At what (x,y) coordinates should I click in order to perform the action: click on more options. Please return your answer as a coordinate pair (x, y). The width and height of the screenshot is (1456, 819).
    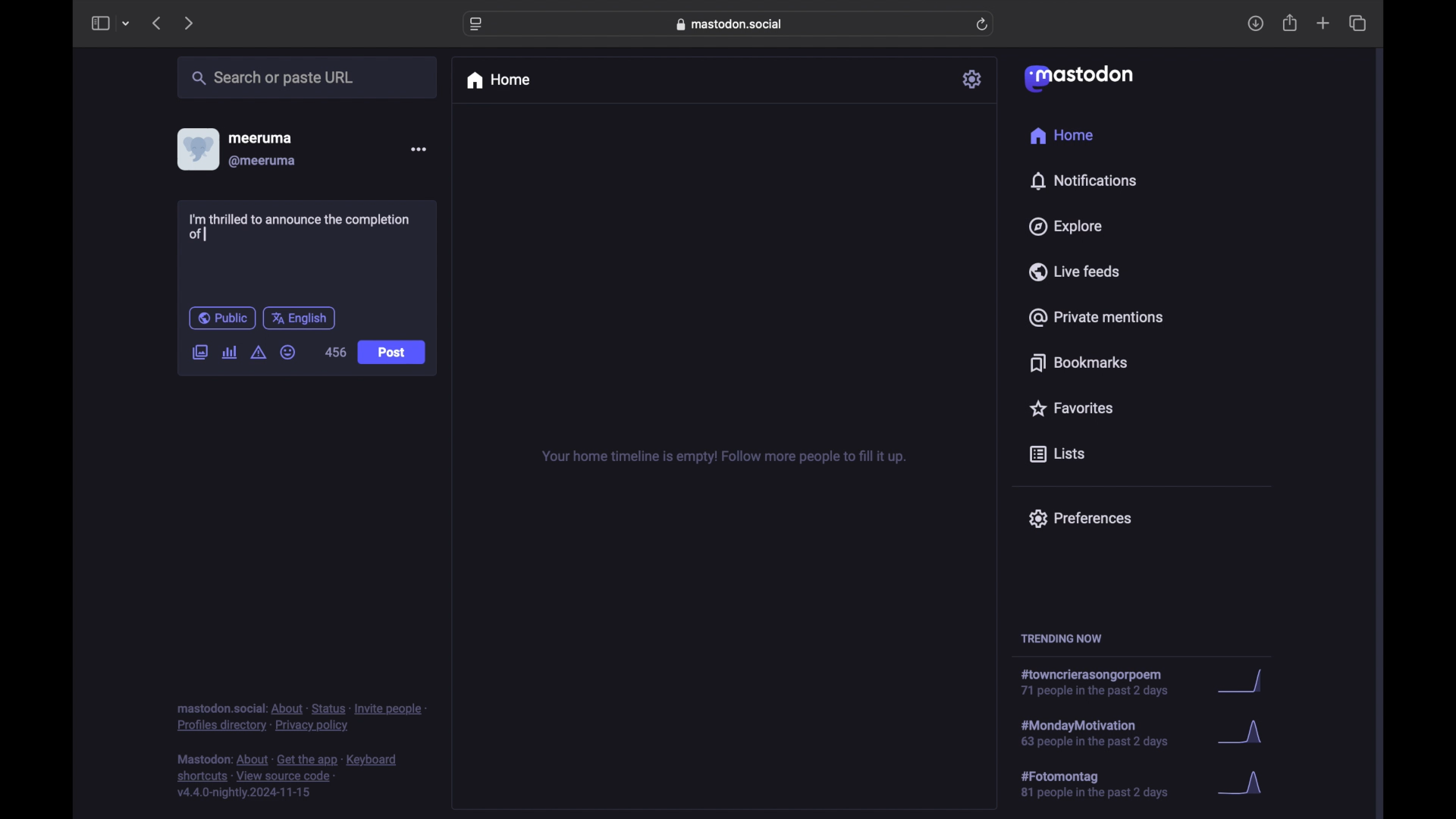
    Looking at the image, I should click on (418, 149).